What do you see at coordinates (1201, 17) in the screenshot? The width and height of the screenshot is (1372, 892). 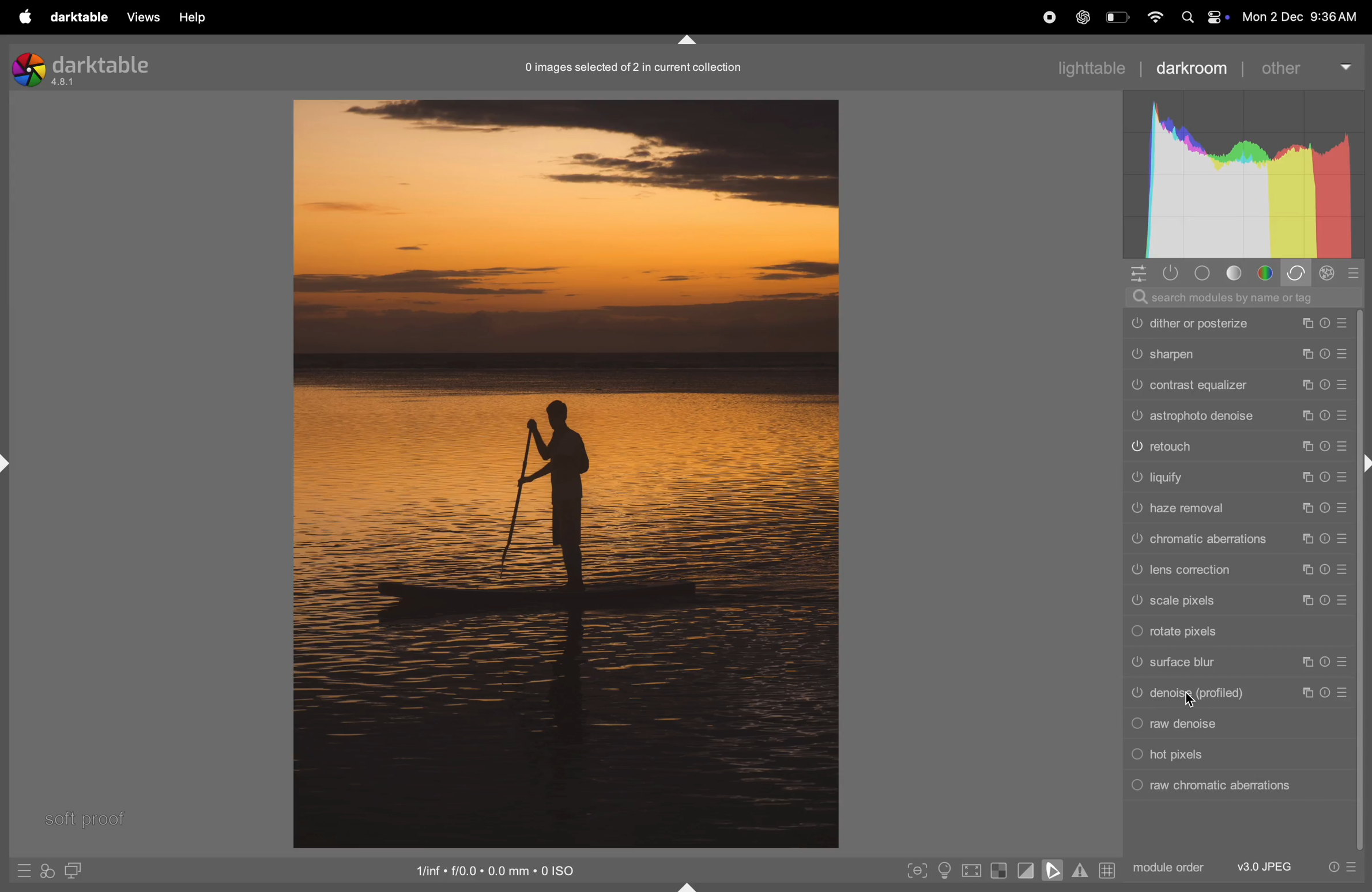 I see `apple widgets` at bounding box center [1201, 17].